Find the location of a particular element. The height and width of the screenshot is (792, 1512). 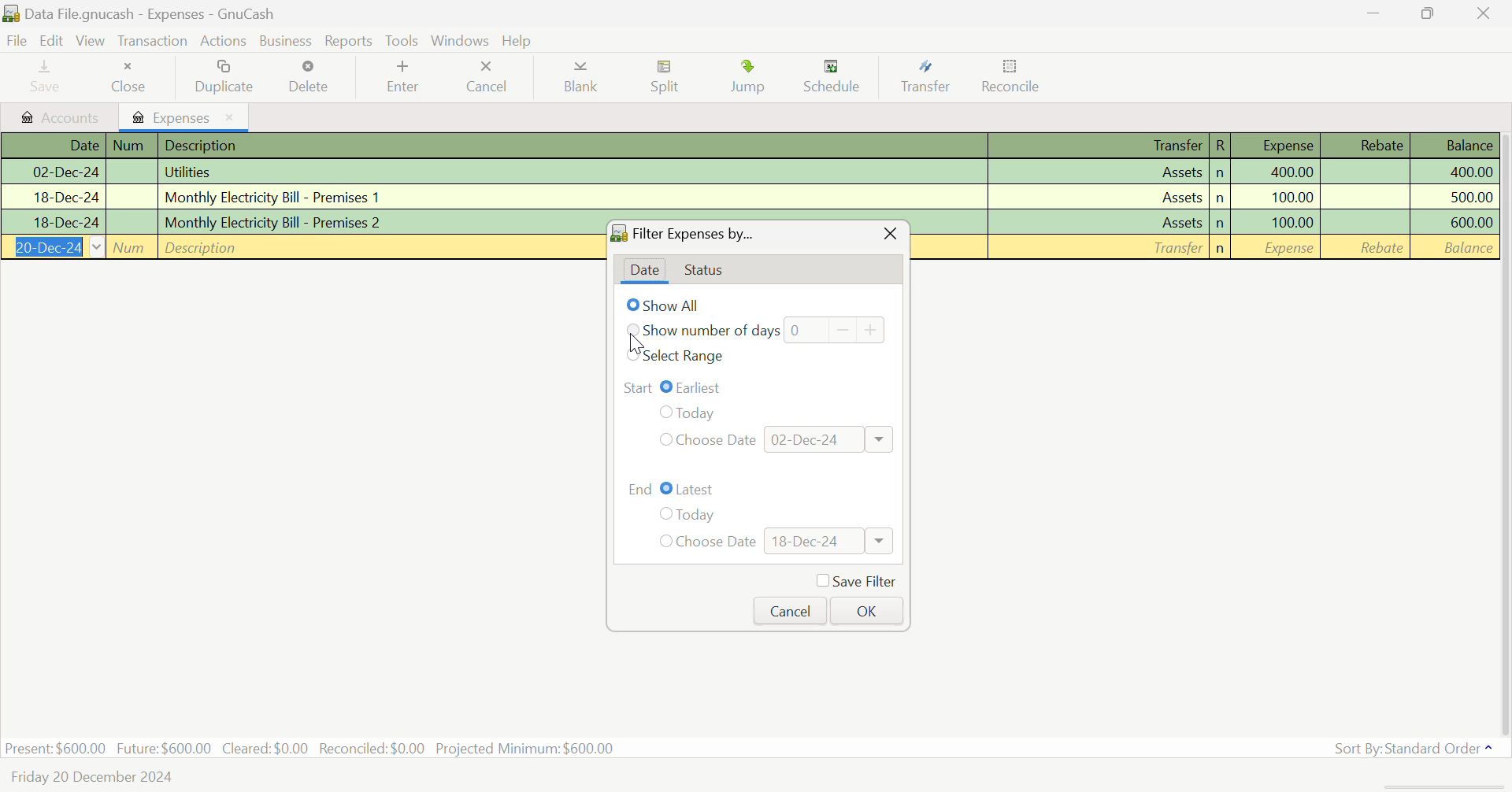

Friday 20 December 2024 is located at coordinates (95, 775).